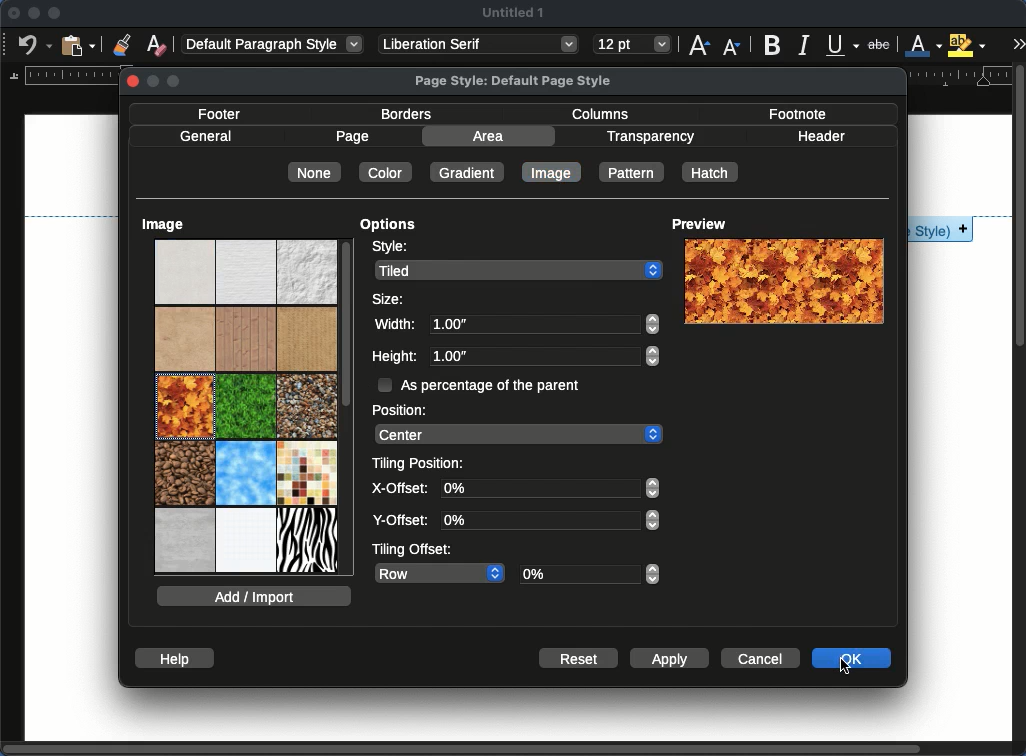 Image resolution: width=1026 pixels, height=756 pixels. Describe the element at coordinates (878, 44) in the screenshot. I see `strikethrough` at that location.